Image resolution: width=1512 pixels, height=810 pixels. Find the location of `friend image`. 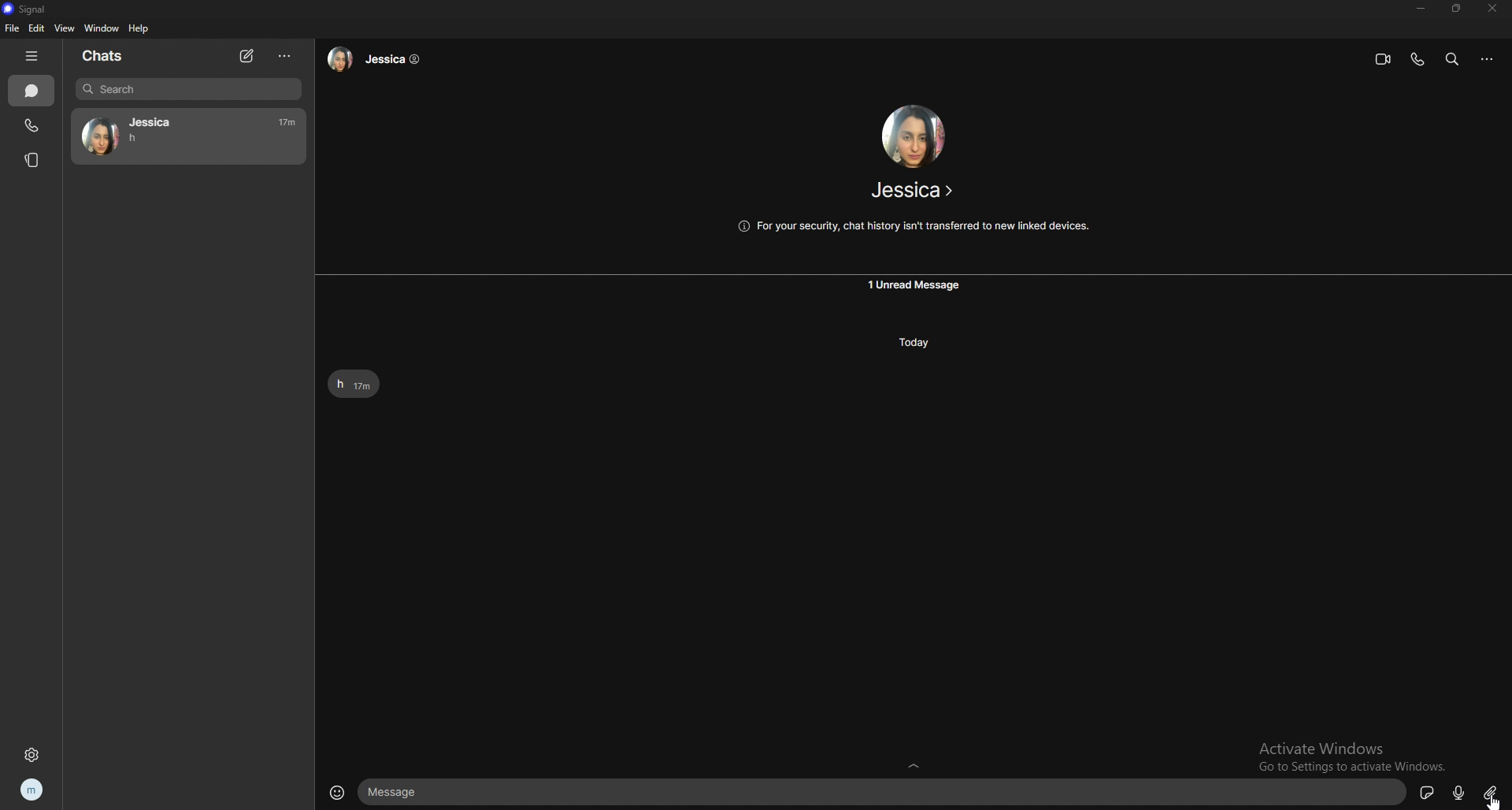

friend image is located at coordinates (912, 137).